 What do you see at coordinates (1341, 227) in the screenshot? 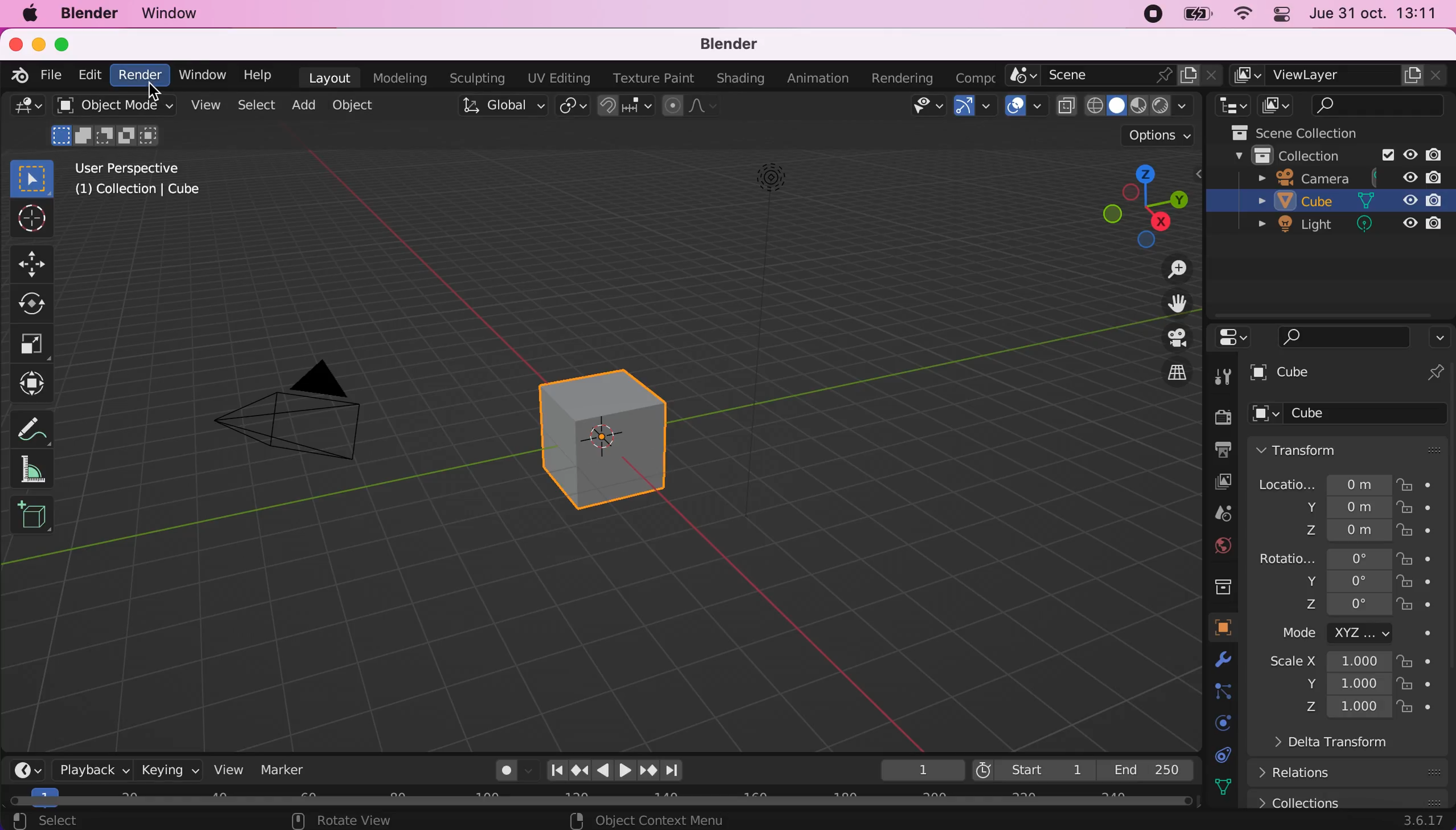
I see `light` at bounding box center [1341, 227].